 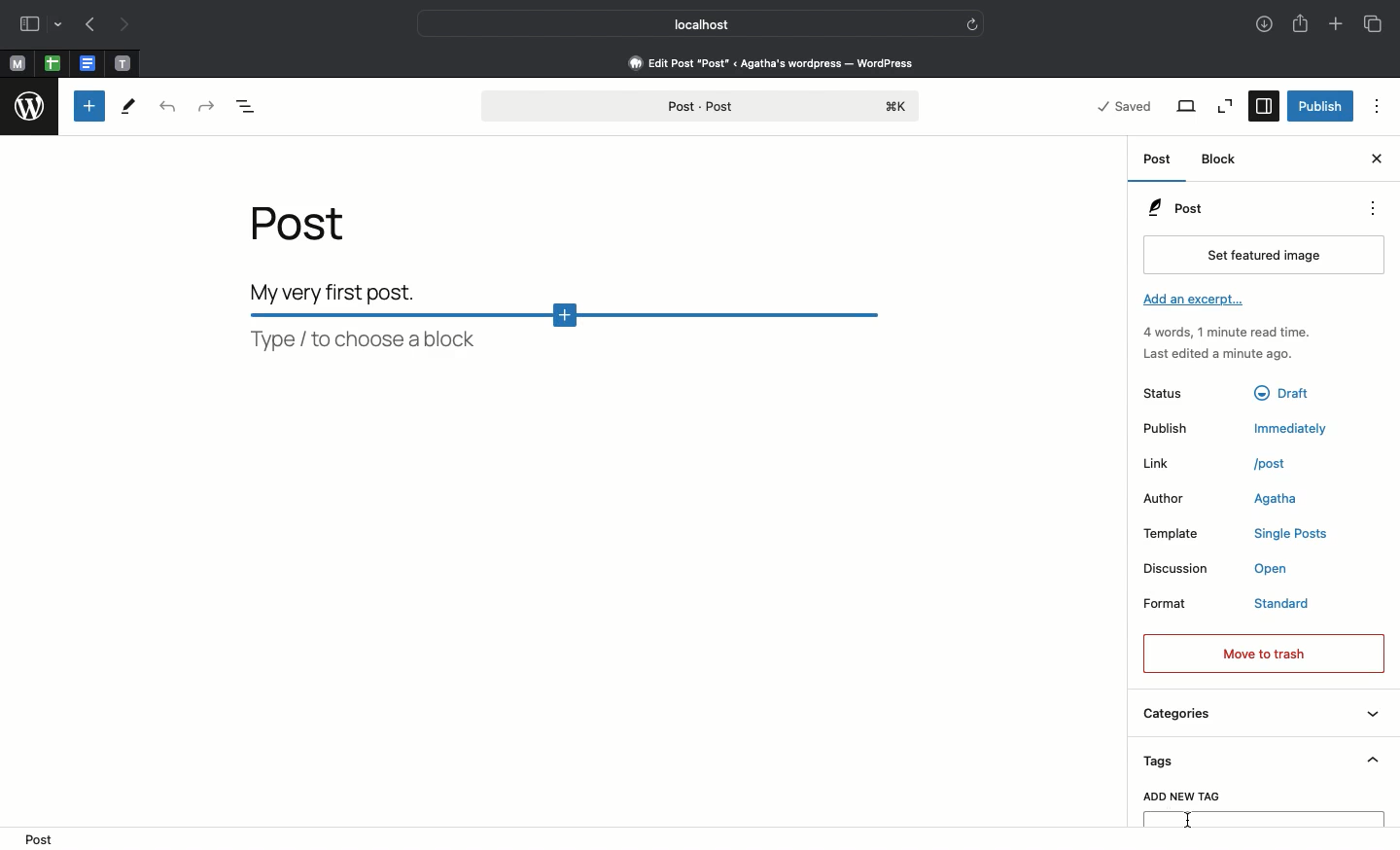 I want to click on , so click(x=60, y=23).